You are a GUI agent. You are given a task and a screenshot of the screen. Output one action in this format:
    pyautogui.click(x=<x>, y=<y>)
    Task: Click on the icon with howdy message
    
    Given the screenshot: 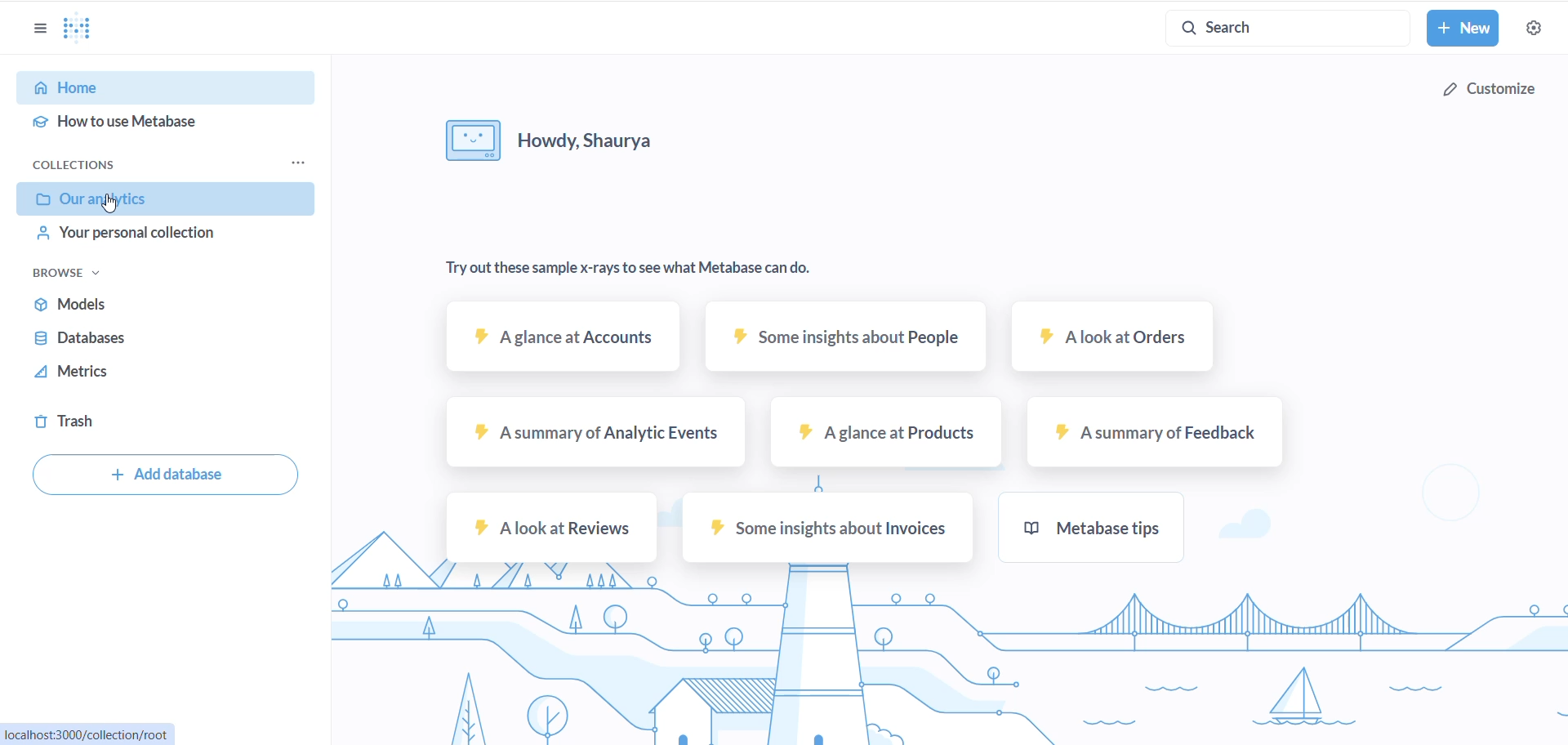 What is the action you would take?
    pyautogui.click(x=464, y=140)
    